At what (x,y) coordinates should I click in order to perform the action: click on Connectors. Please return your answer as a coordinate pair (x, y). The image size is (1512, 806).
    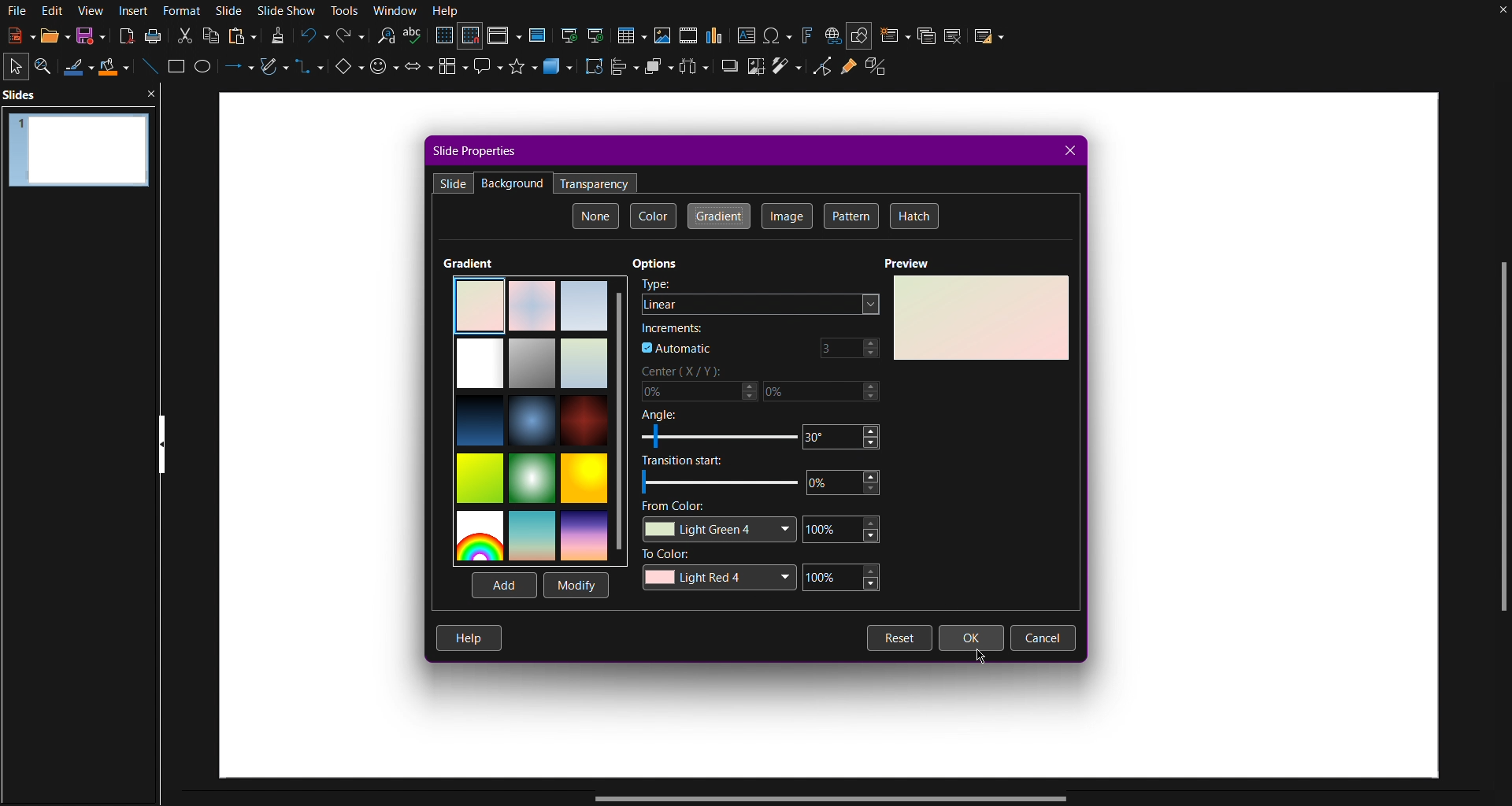
    Looking at the image, I should click on (310, 73).